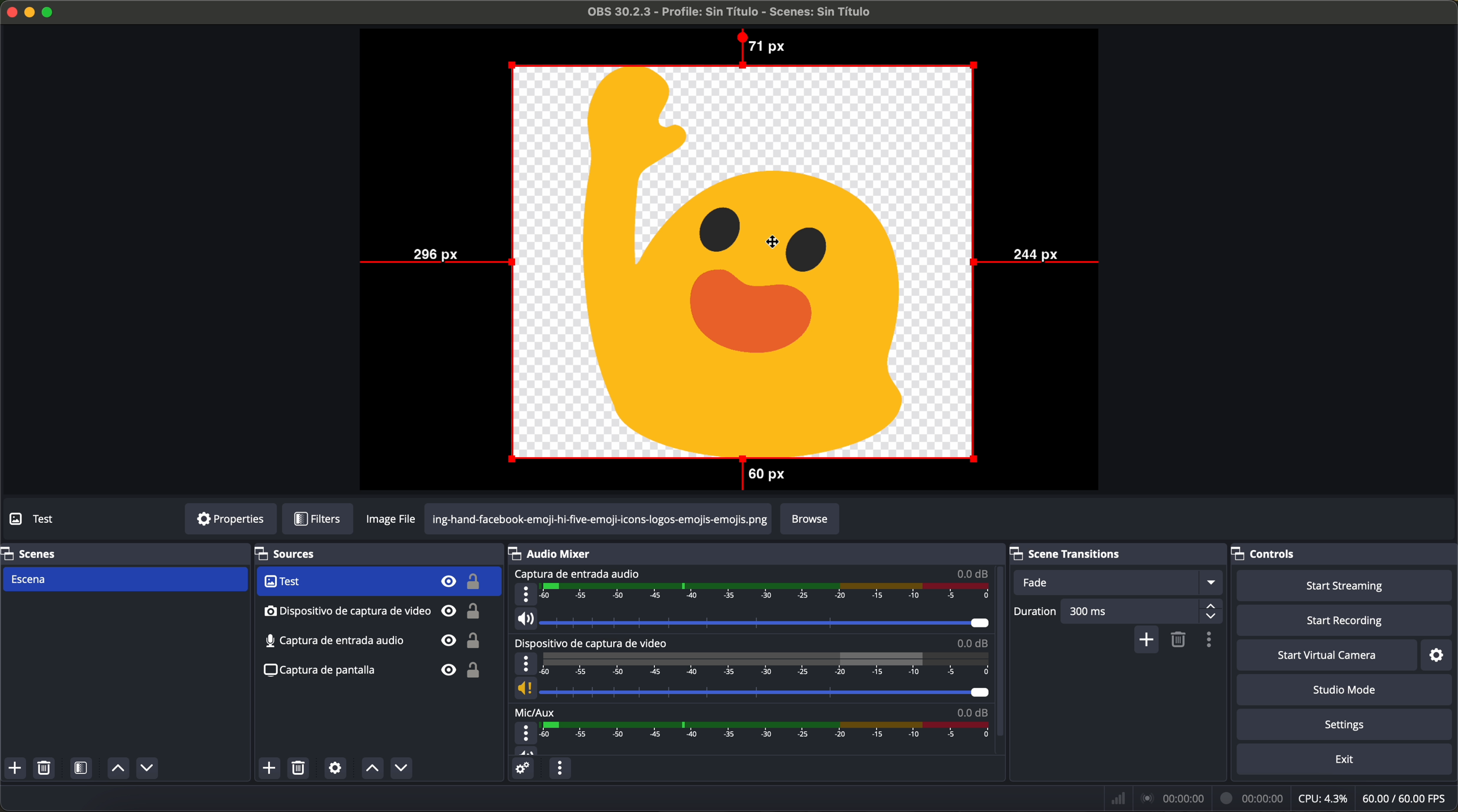 The height and width of the screenshot is (812, 1458). I want to click on audio mixer, so click(556, 553).